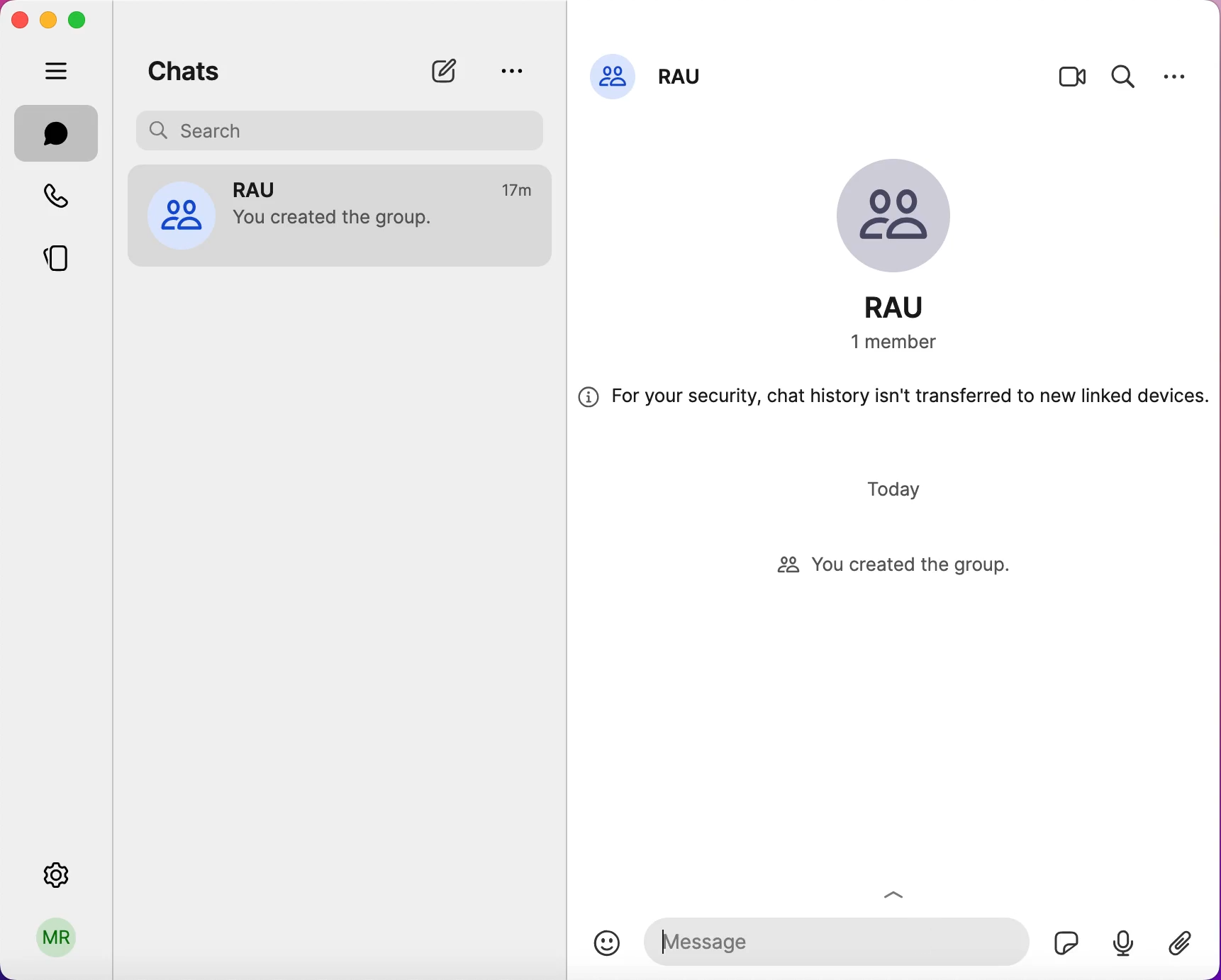 The width and height of the screenshot is (1221, 980). Describe the element at coordinates (60, 871) in the screenshot. I see `settings` at that location.